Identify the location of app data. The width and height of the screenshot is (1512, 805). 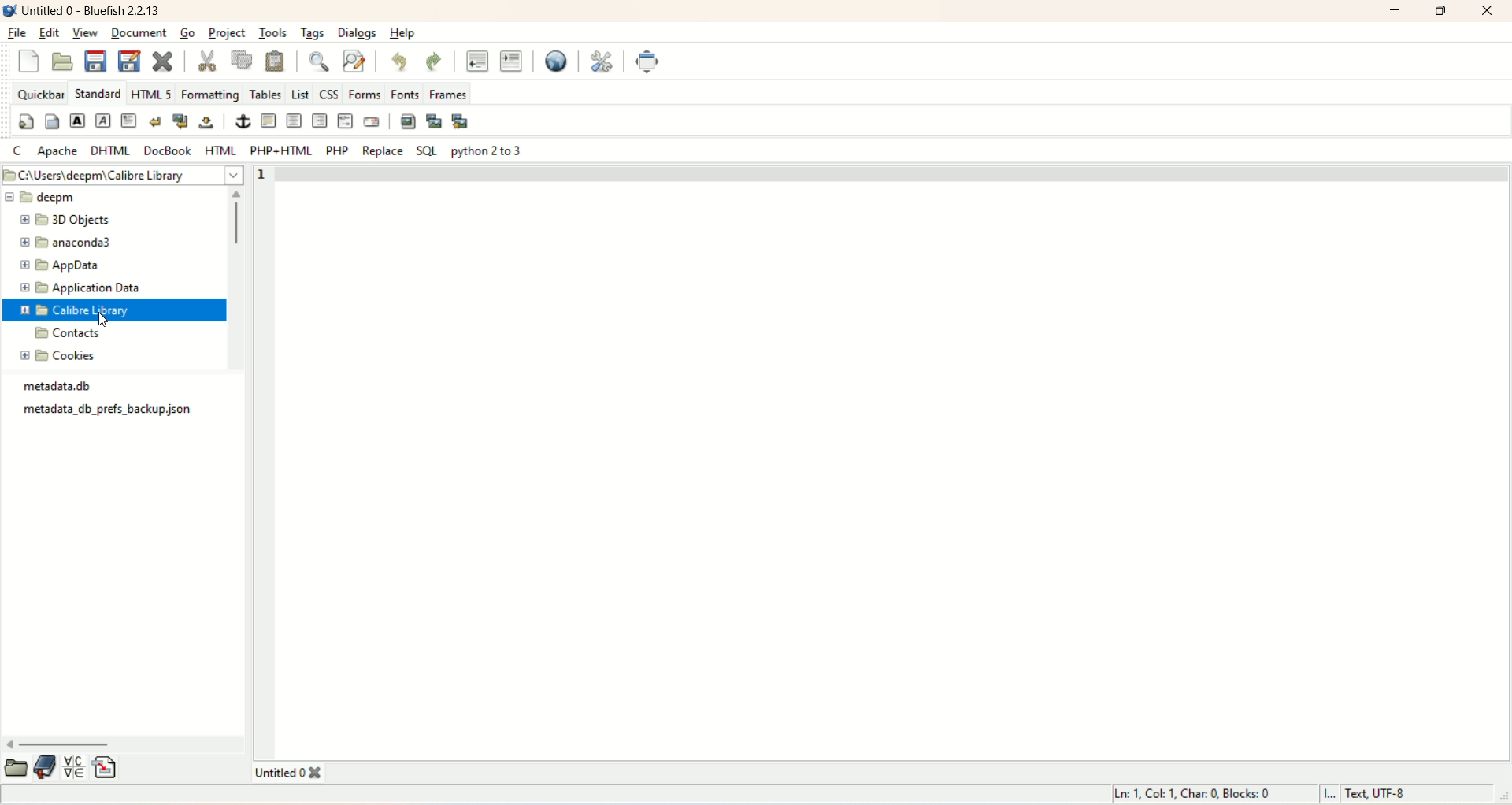
(59, 264).